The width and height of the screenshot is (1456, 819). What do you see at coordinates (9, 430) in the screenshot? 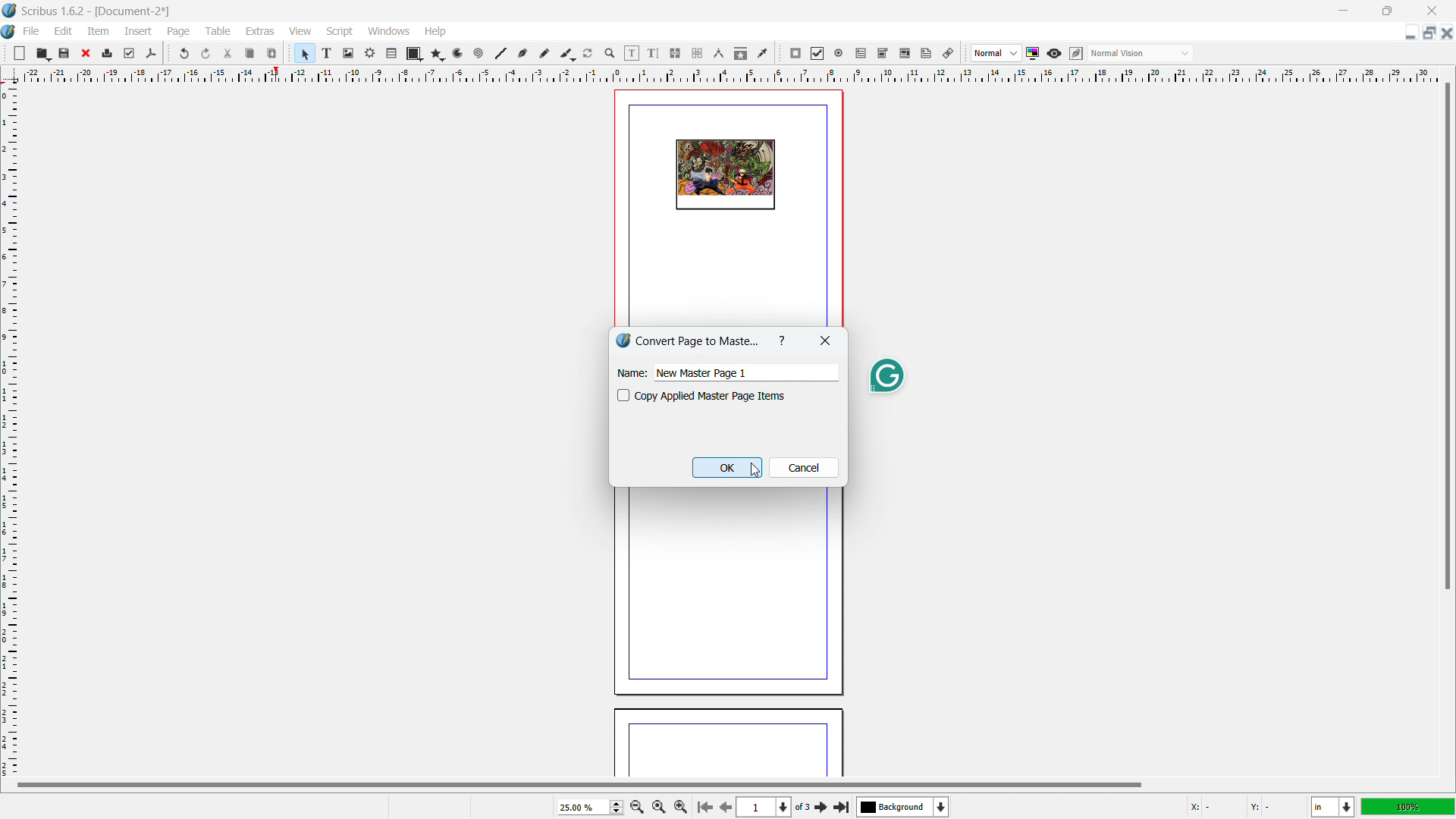
I see `vertical ruler` at bounding box center [9, 430].